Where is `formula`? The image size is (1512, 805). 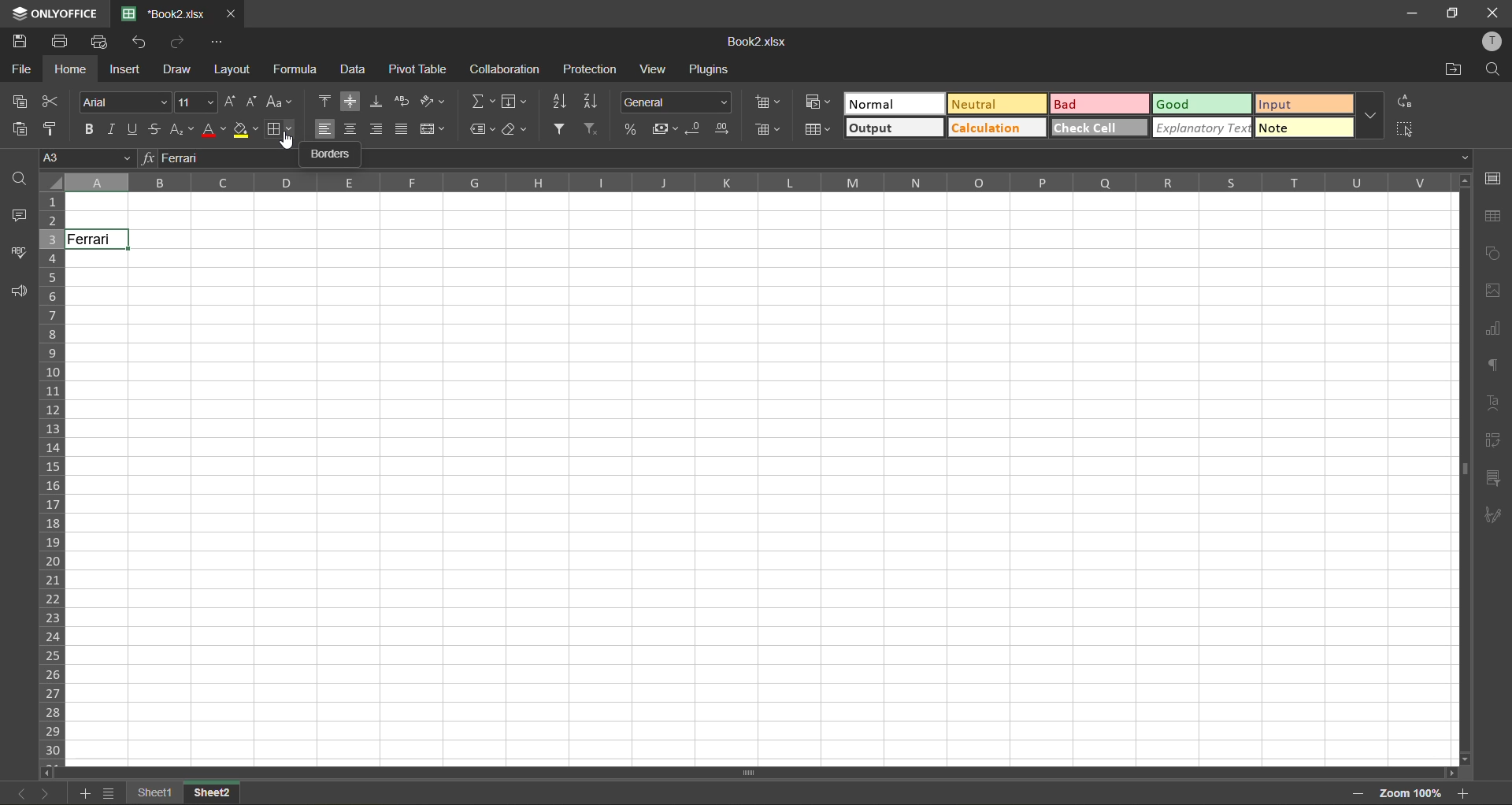 formula is located at coordinates (299, 69).